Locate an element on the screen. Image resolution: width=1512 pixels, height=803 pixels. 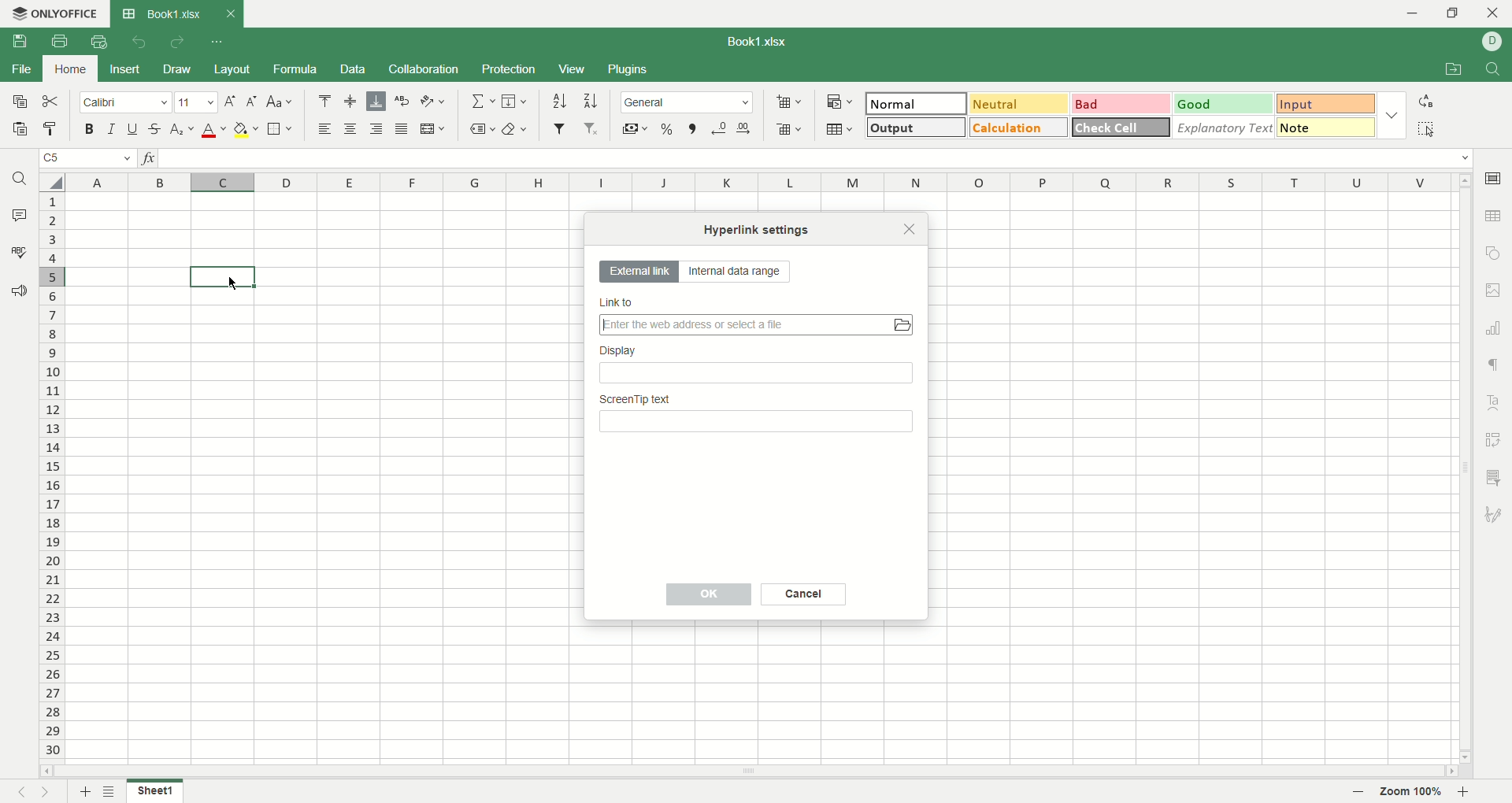
neutral is located at coordinates (1018, 102).